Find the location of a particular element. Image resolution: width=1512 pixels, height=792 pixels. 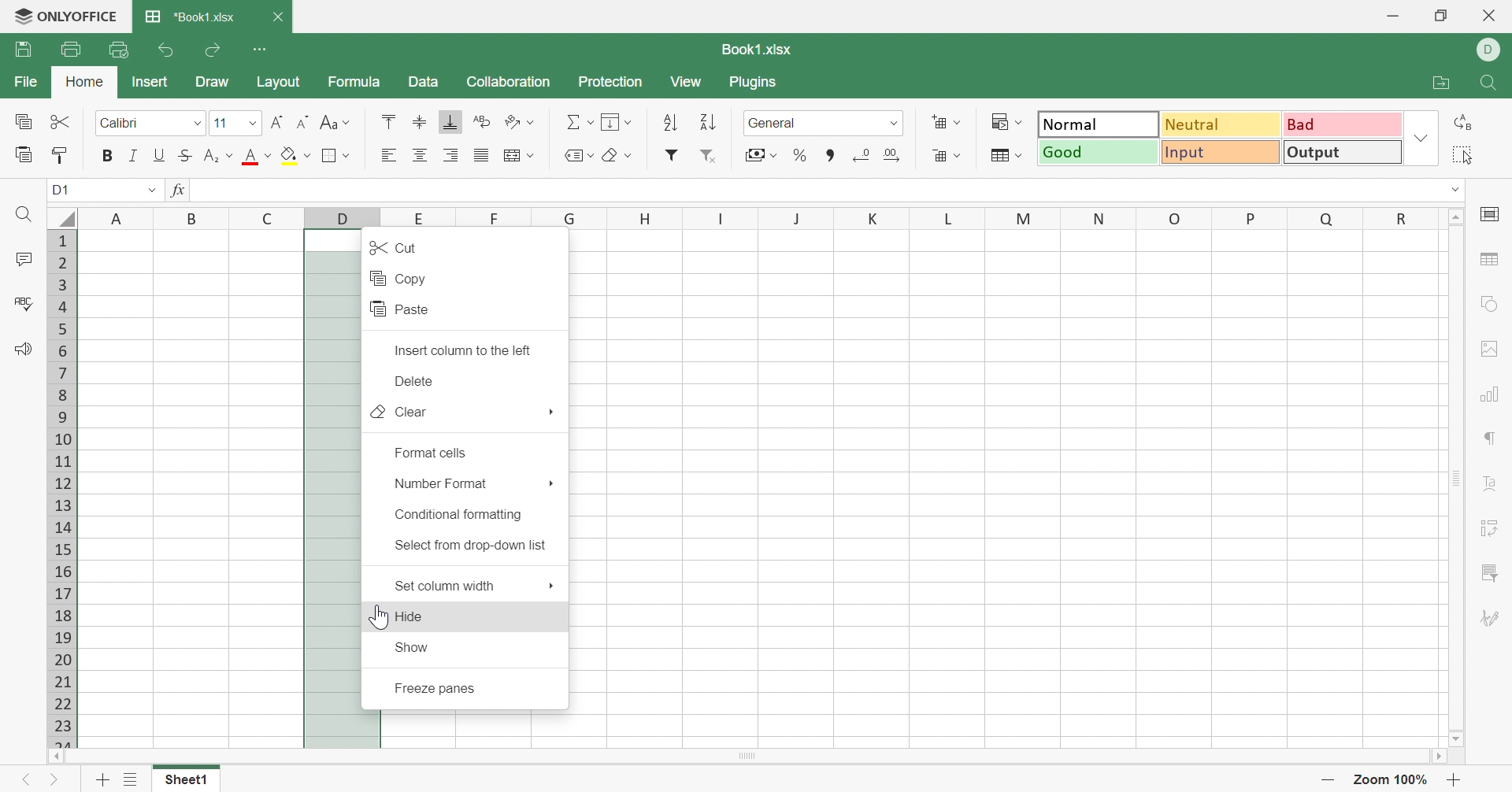

Paste is located at coordinates (401, 309).